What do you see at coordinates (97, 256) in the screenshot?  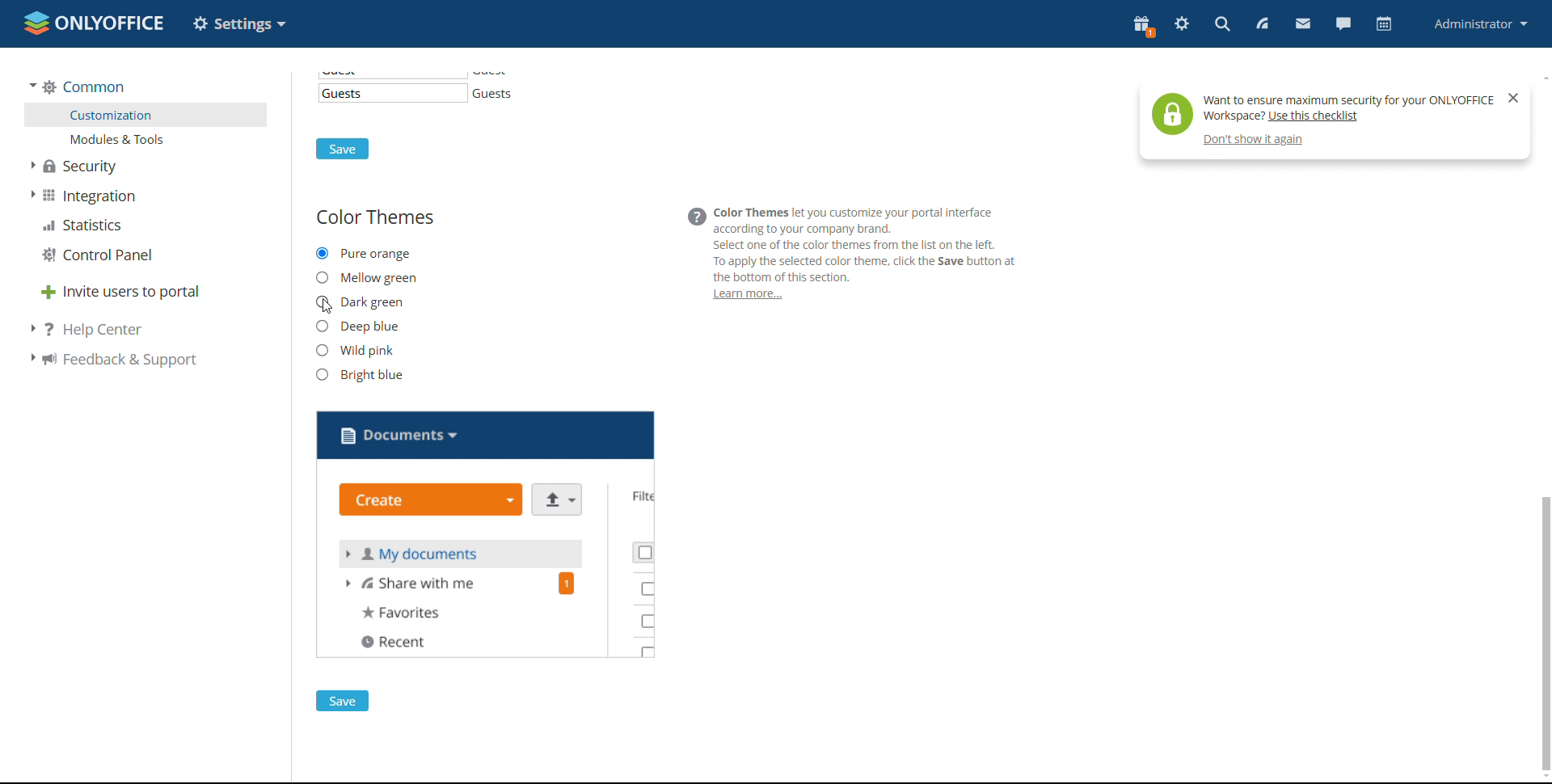 I see `control panel` at bounding box center [97, 256].